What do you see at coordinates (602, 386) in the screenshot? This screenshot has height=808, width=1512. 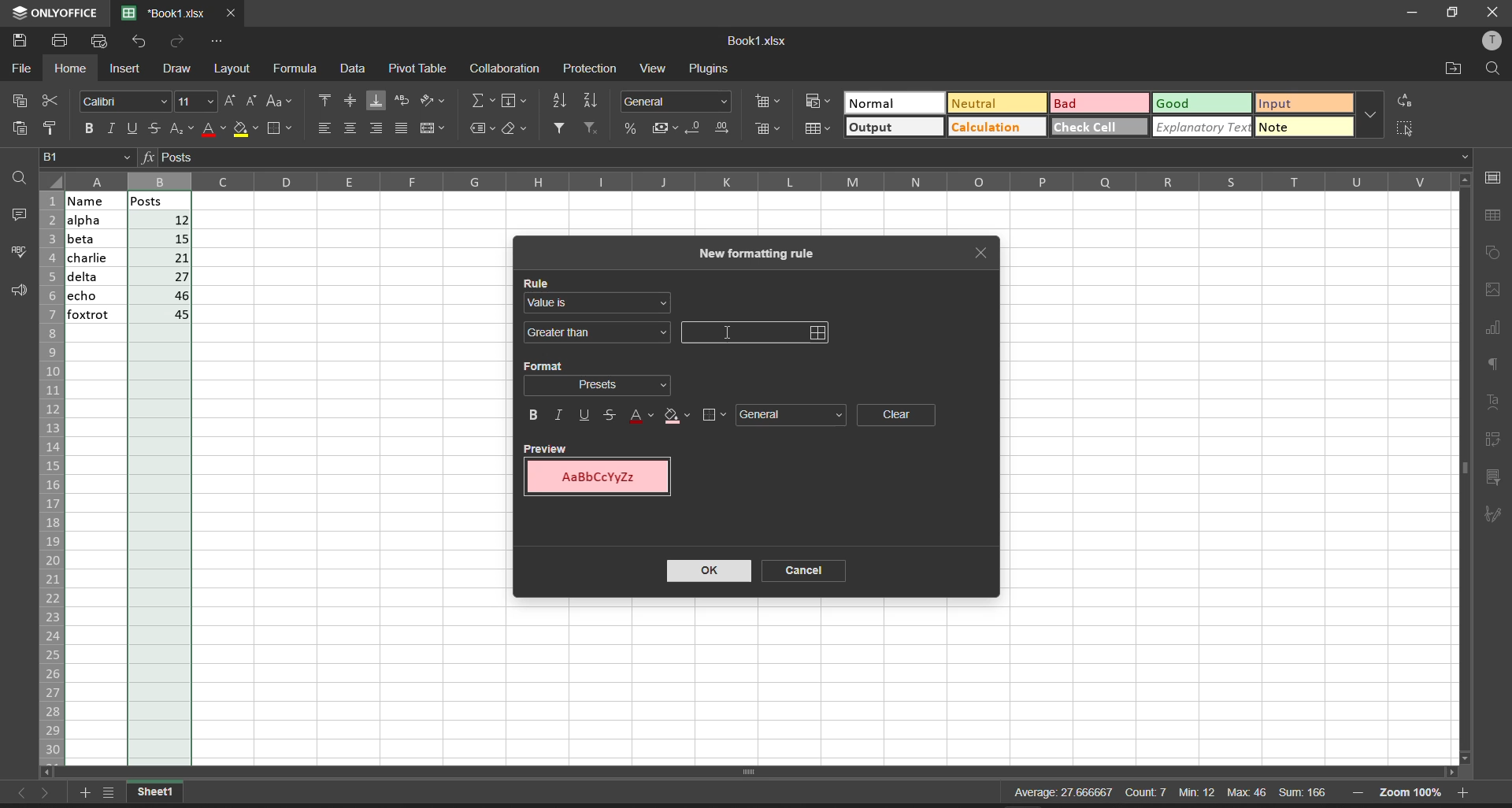 I see `format selection dropdown` at bounding box center [602, 386].